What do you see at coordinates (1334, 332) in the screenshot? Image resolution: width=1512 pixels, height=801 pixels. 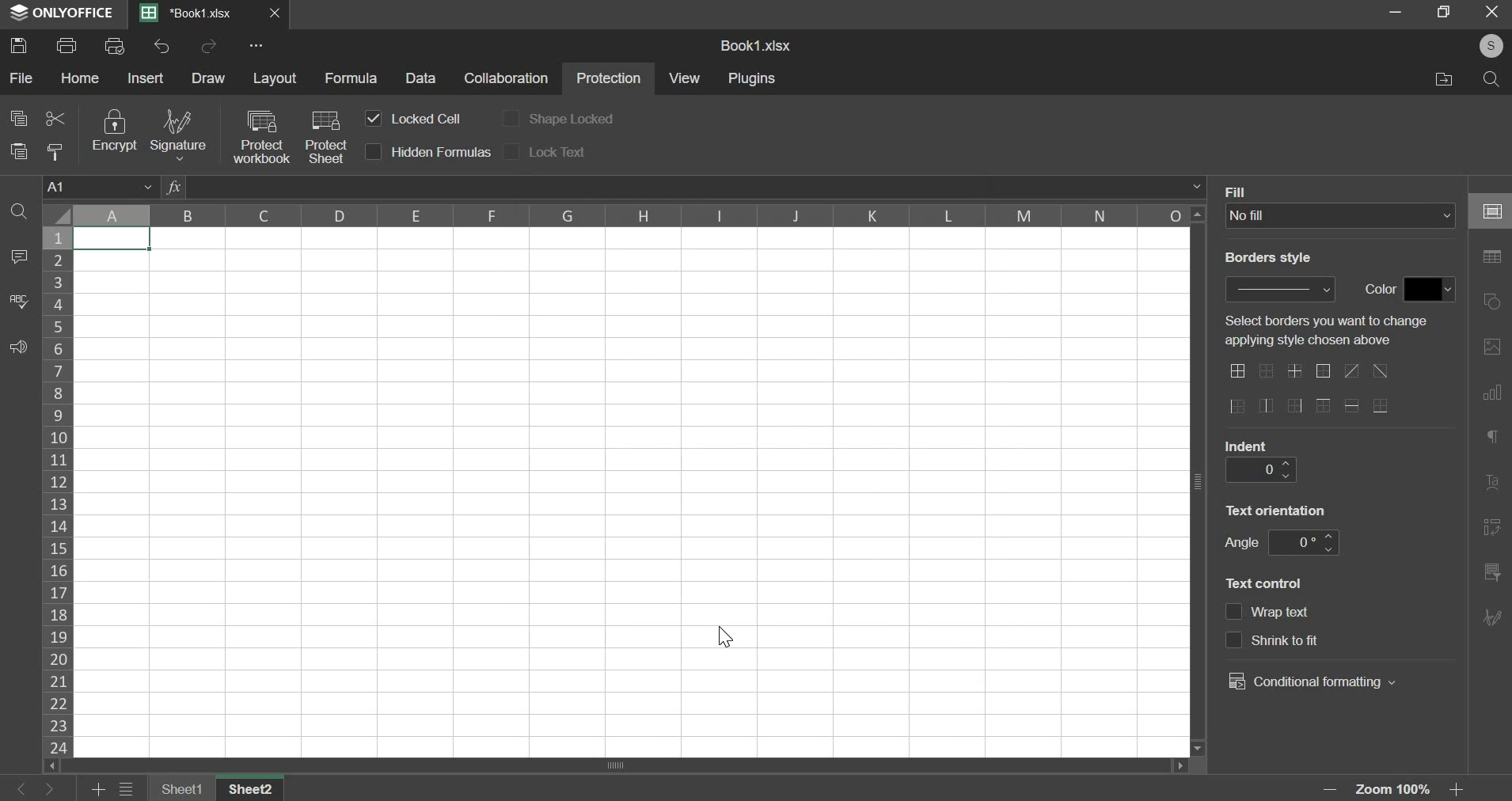 I see `text` at bounding box center [1334, 332].